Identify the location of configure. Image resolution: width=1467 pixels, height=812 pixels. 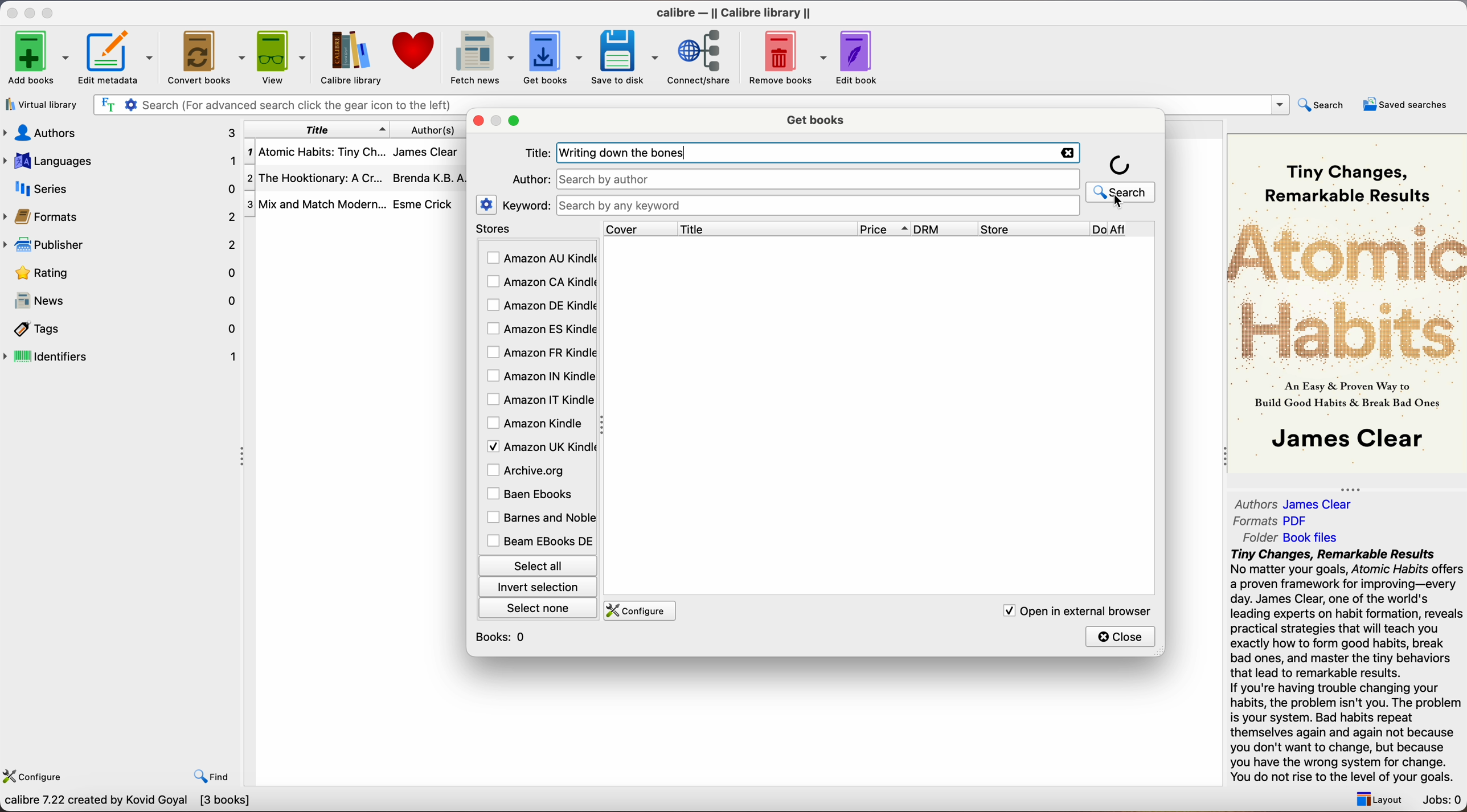
(36, 774).